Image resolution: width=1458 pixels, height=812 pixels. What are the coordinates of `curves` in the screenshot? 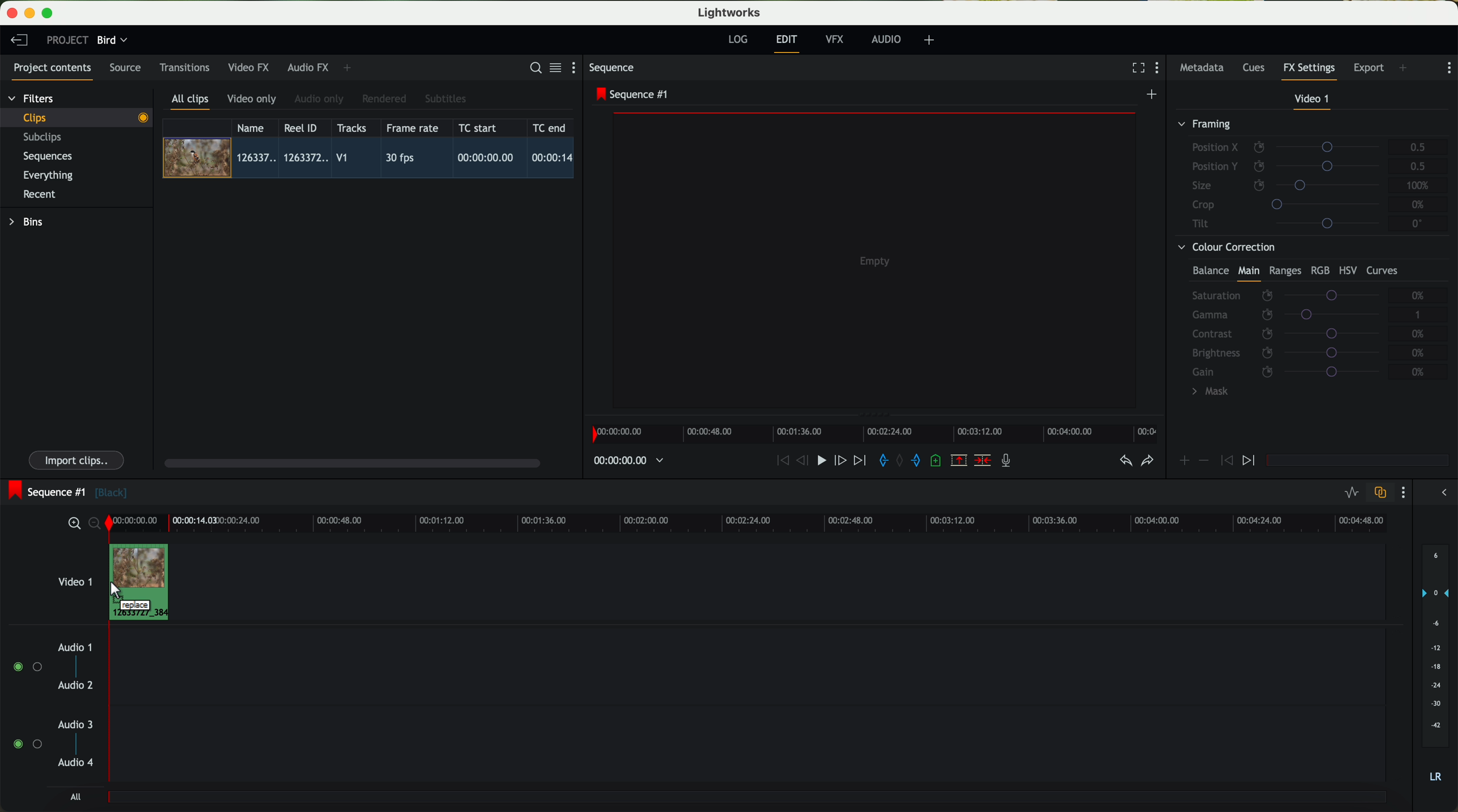 It's located at (1382, 271).